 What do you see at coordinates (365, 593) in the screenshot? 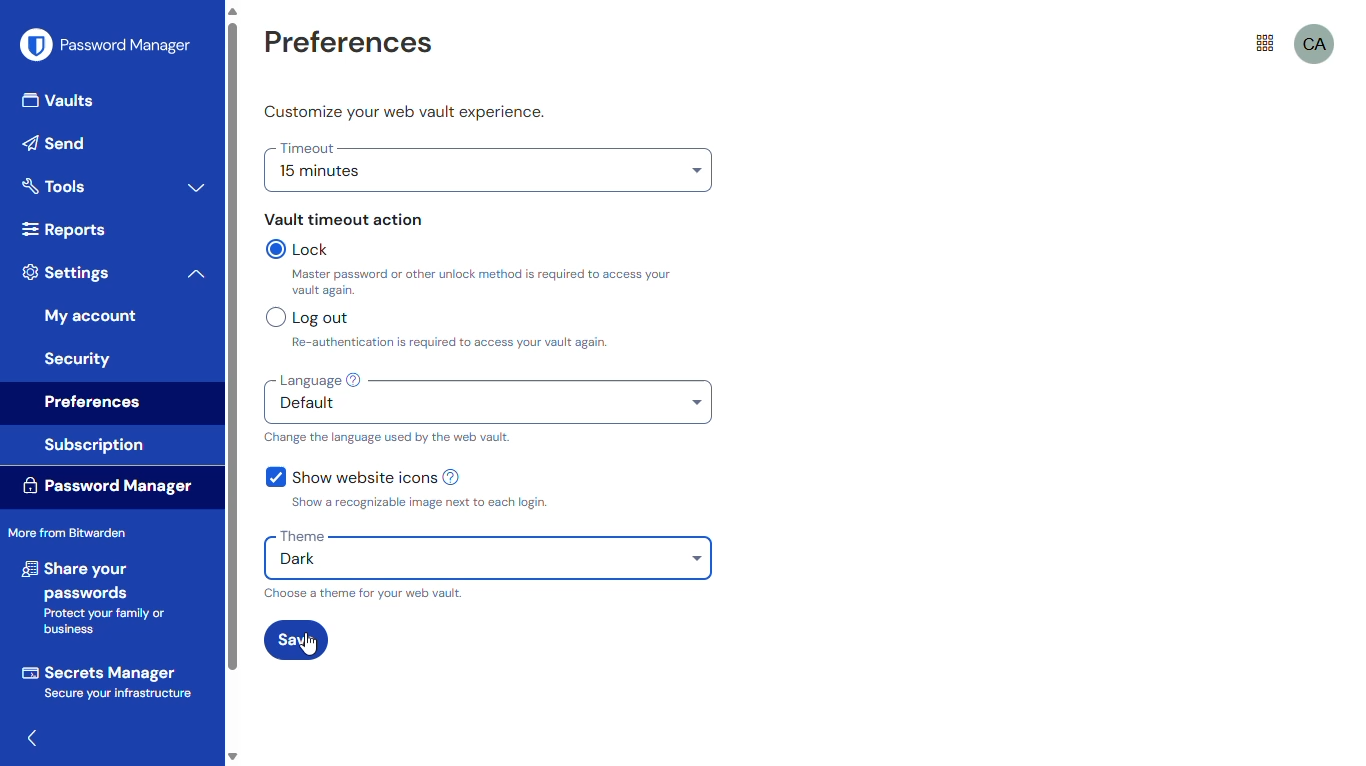
I see `choose a theme for your web vault` at bounding box center [365, 593].